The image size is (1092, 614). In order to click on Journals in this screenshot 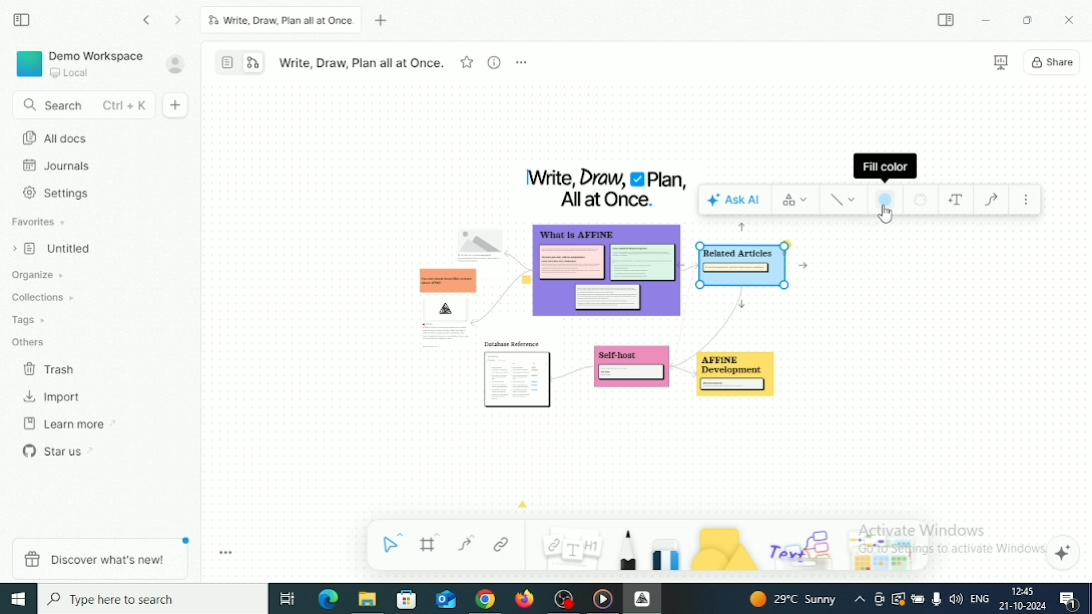, I will do `click(58, 166)`.